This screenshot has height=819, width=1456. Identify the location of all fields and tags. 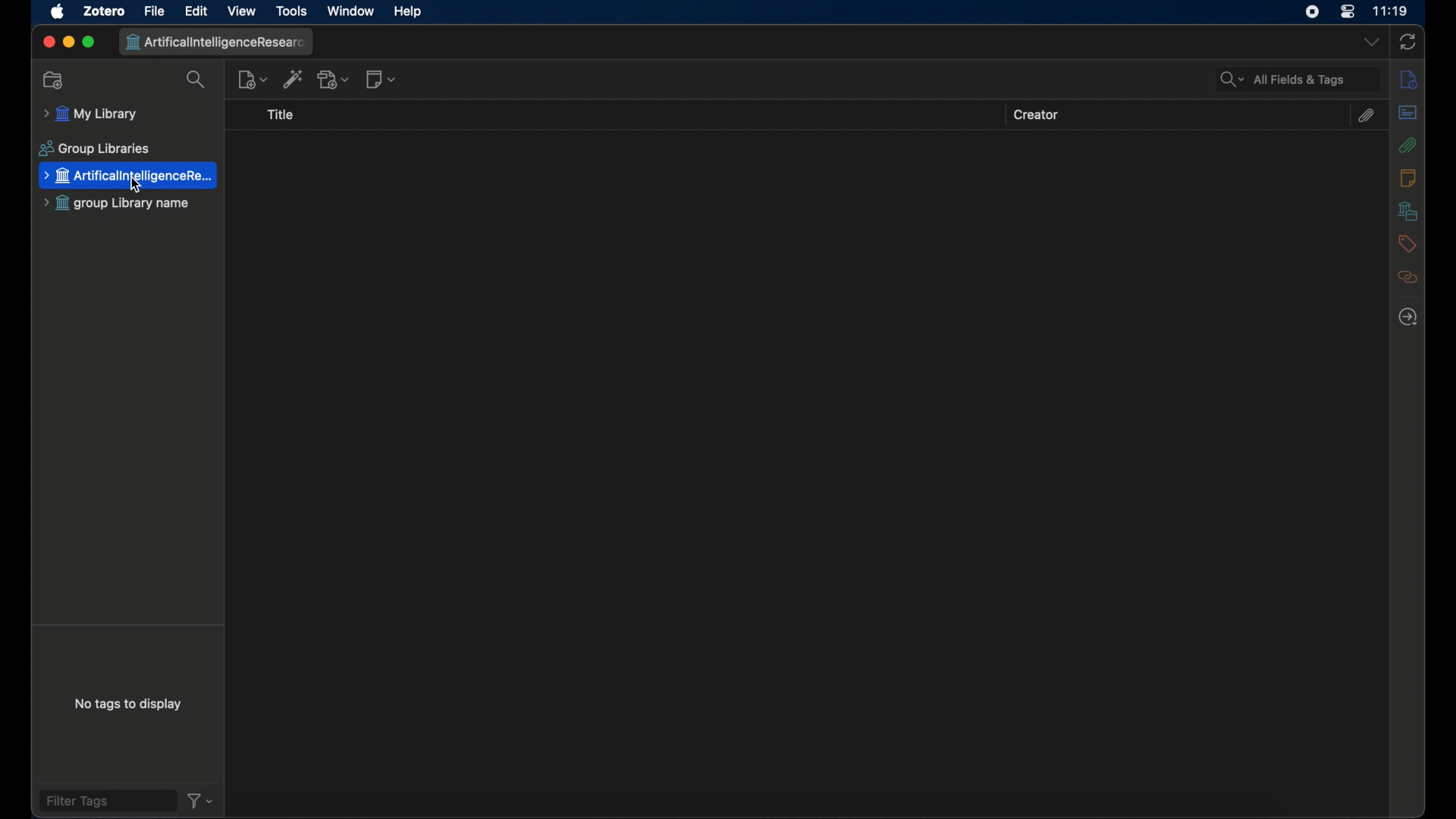
(1297, 78).